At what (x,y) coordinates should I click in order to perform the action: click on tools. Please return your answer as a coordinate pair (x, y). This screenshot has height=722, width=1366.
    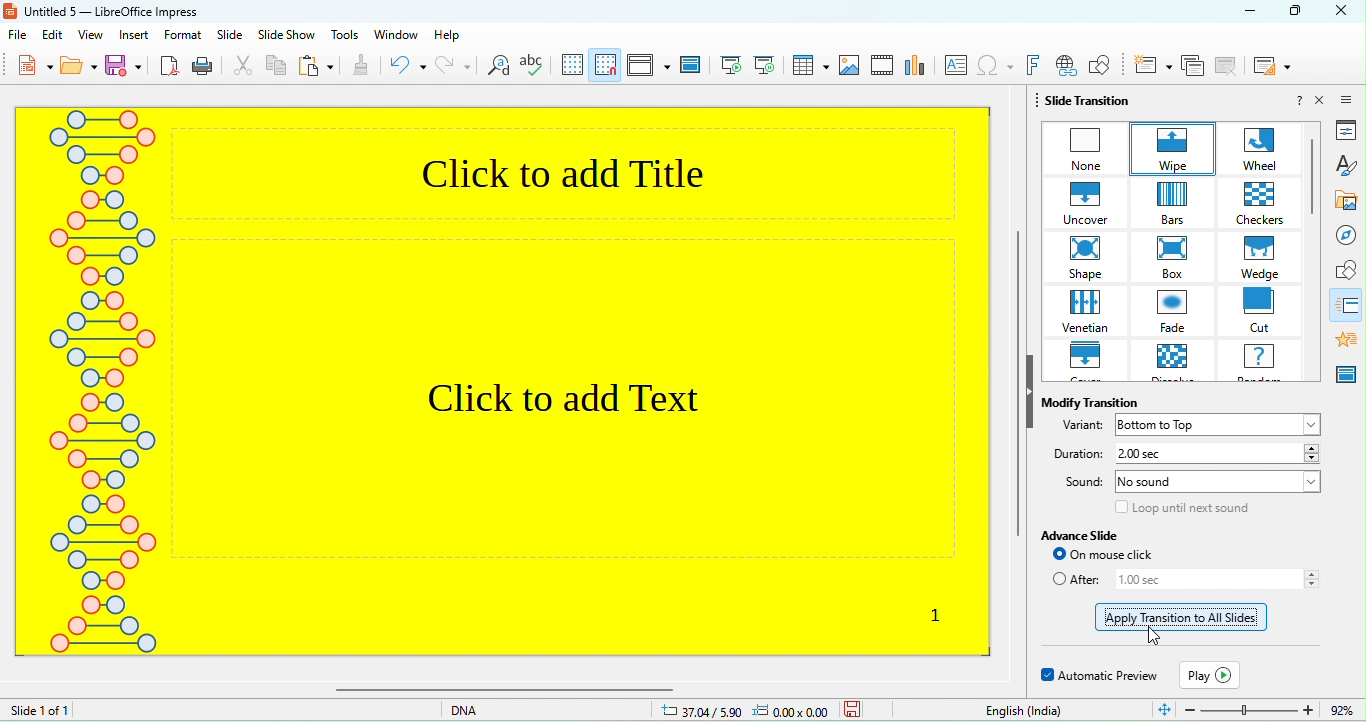
    Looking at the image, I should click on (345, 36).